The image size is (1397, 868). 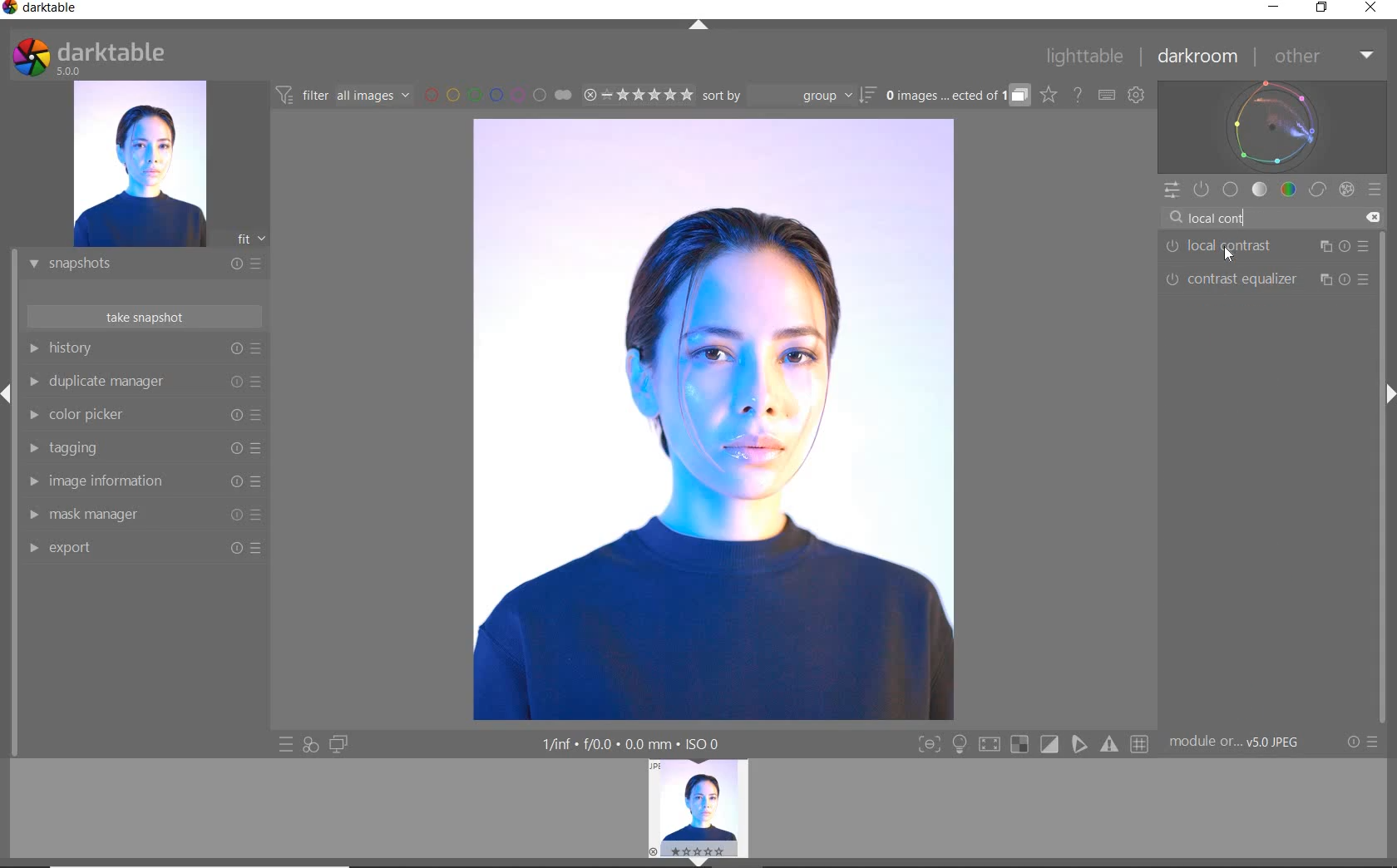 What do you see at coordinates (1107, 95) in the screenshot?
I see `SET KEYBOARD SHORTCUTS` at bounding box center [1107, 95].